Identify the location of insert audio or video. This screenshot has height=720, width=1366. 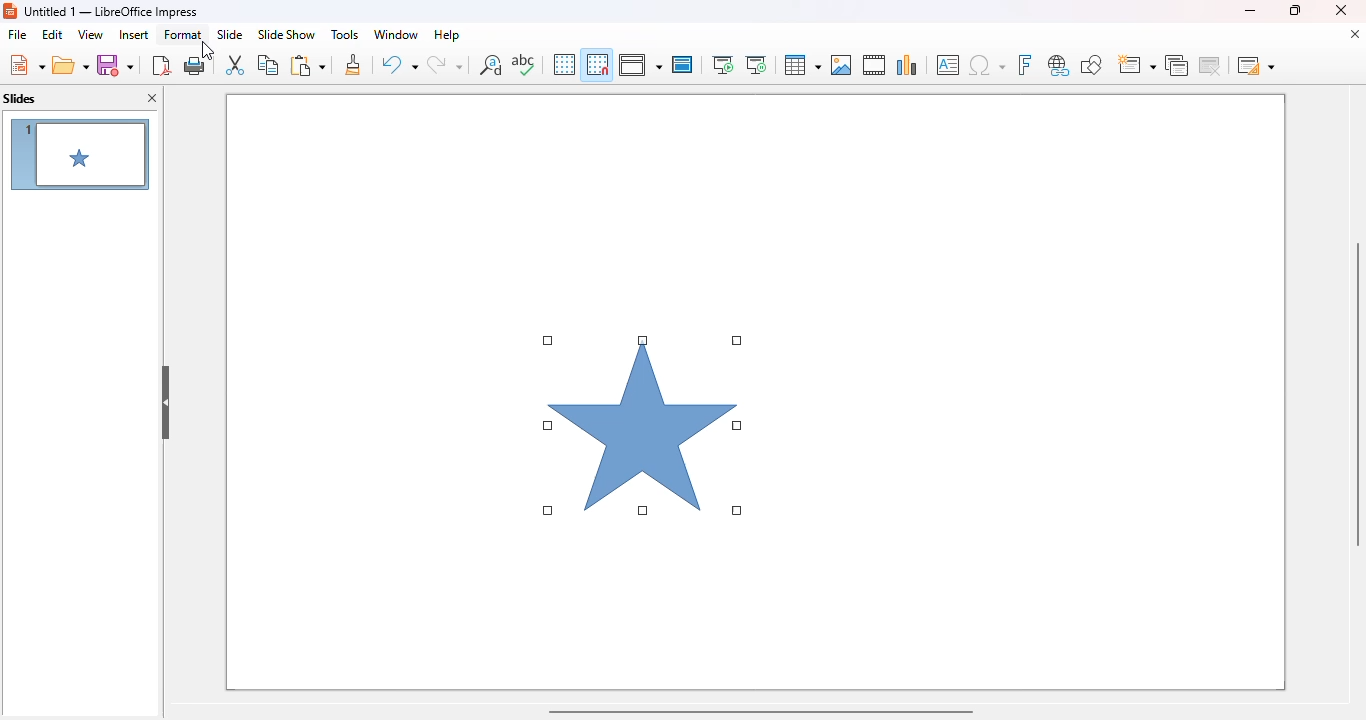
(874, 64).